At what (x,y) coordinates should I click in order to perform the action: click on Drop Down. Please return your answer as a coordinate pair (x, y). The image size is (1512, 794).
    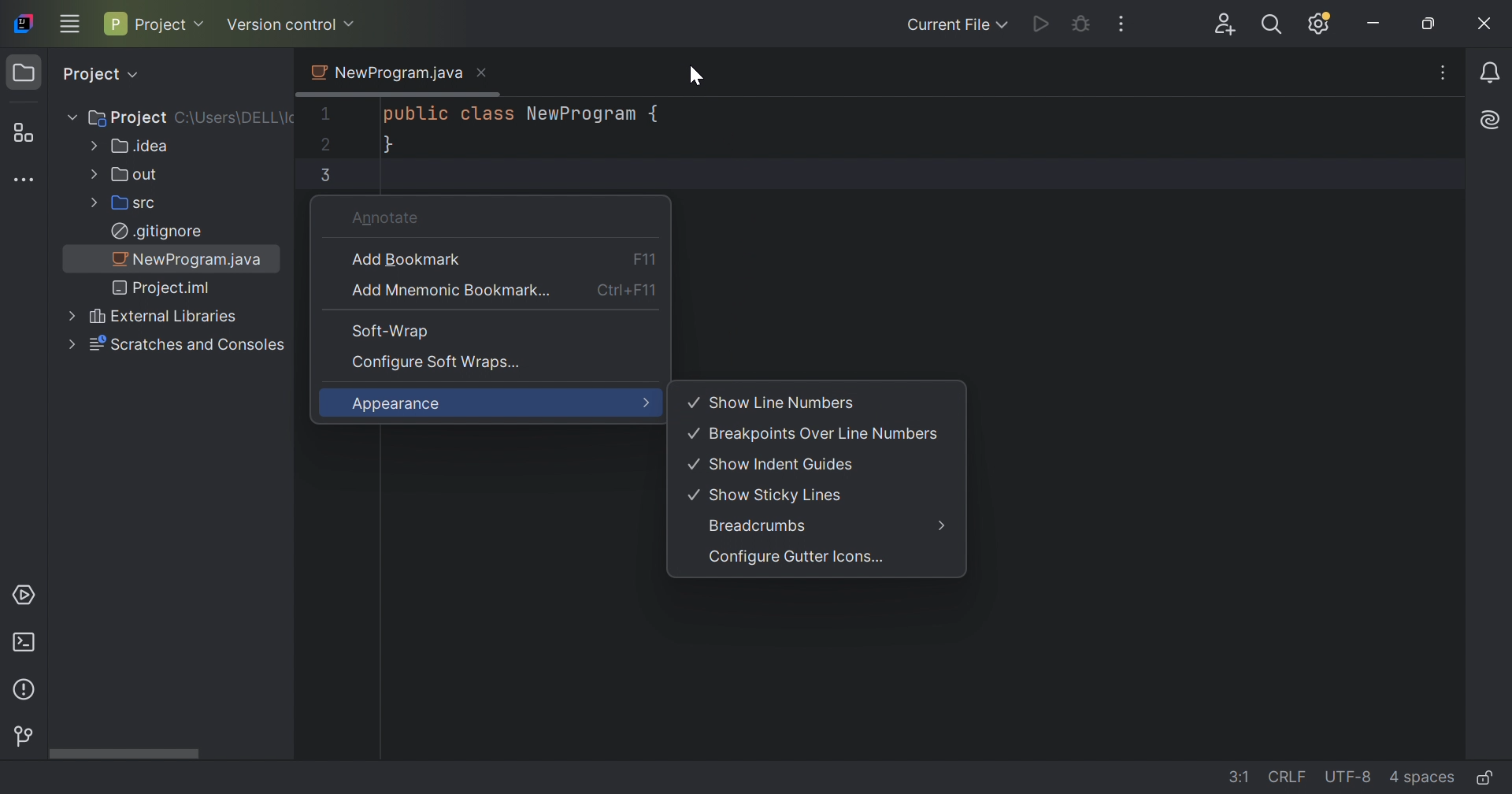
    Looking at the image, I should click on (139, 76).